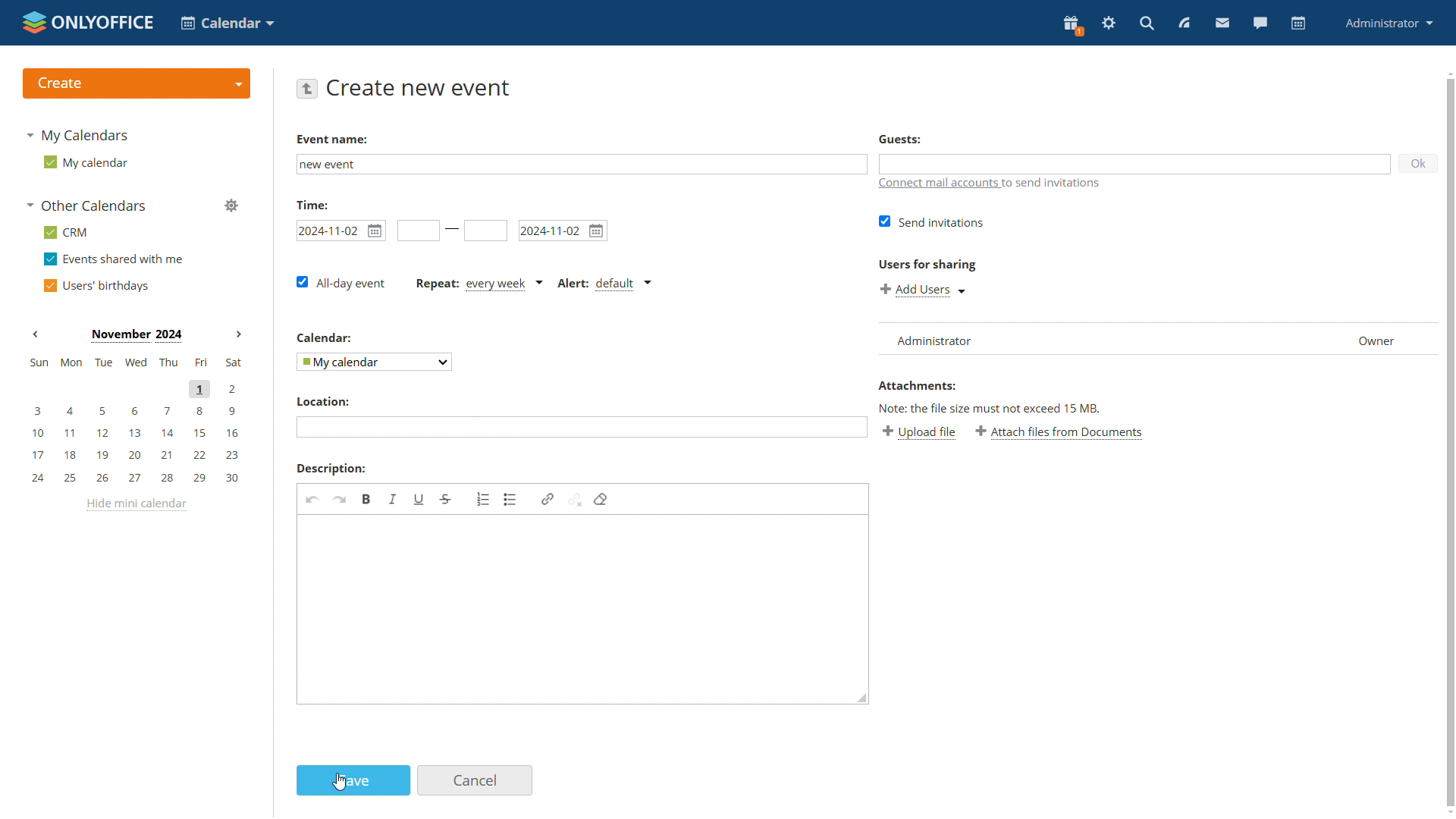 The height and width of the screenshot is (819, 1456). I want to click on manage, so click(231, 206).